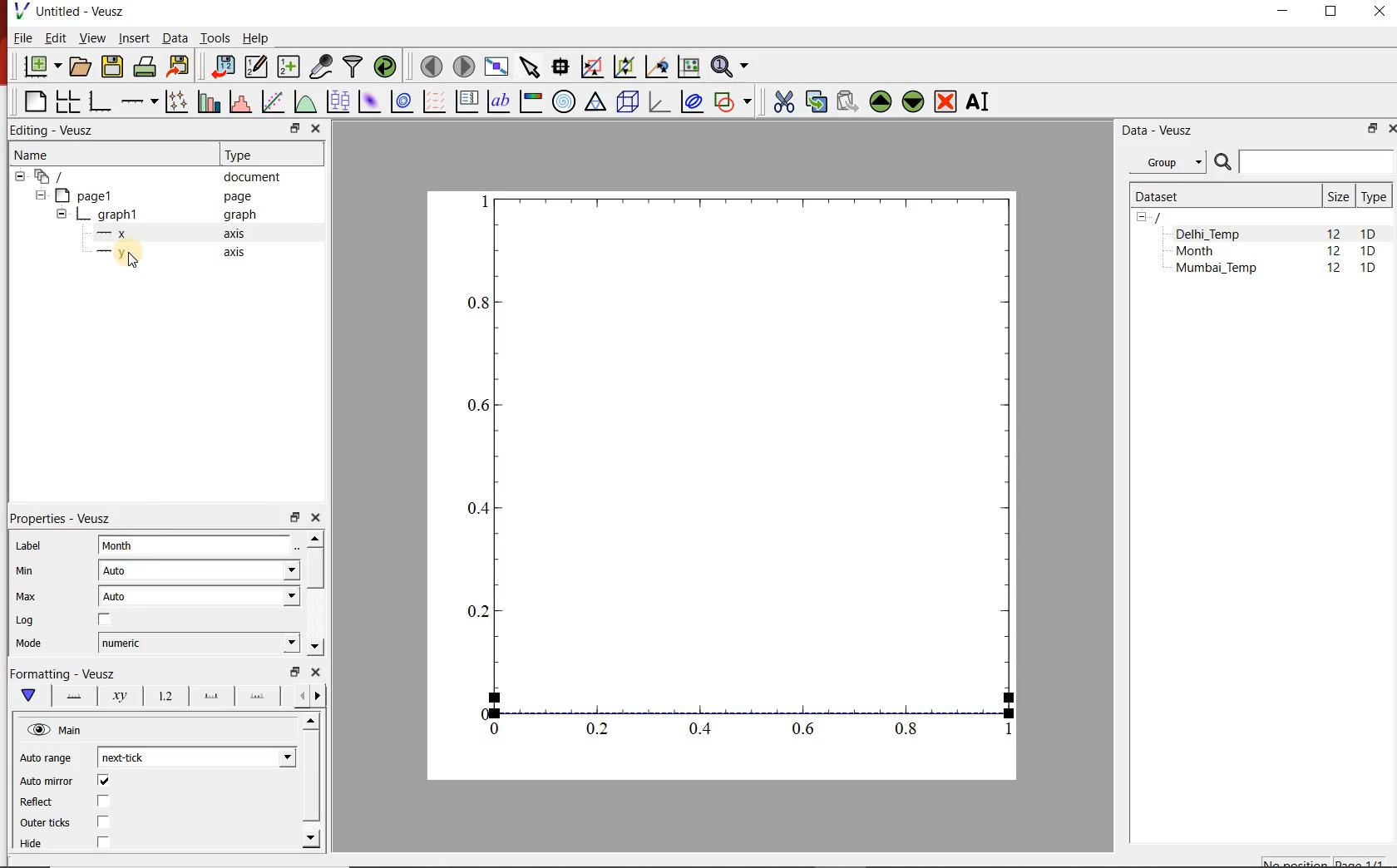 This screenshot has height=868, width=1397. I want to click on base graph, so click(98, 102).